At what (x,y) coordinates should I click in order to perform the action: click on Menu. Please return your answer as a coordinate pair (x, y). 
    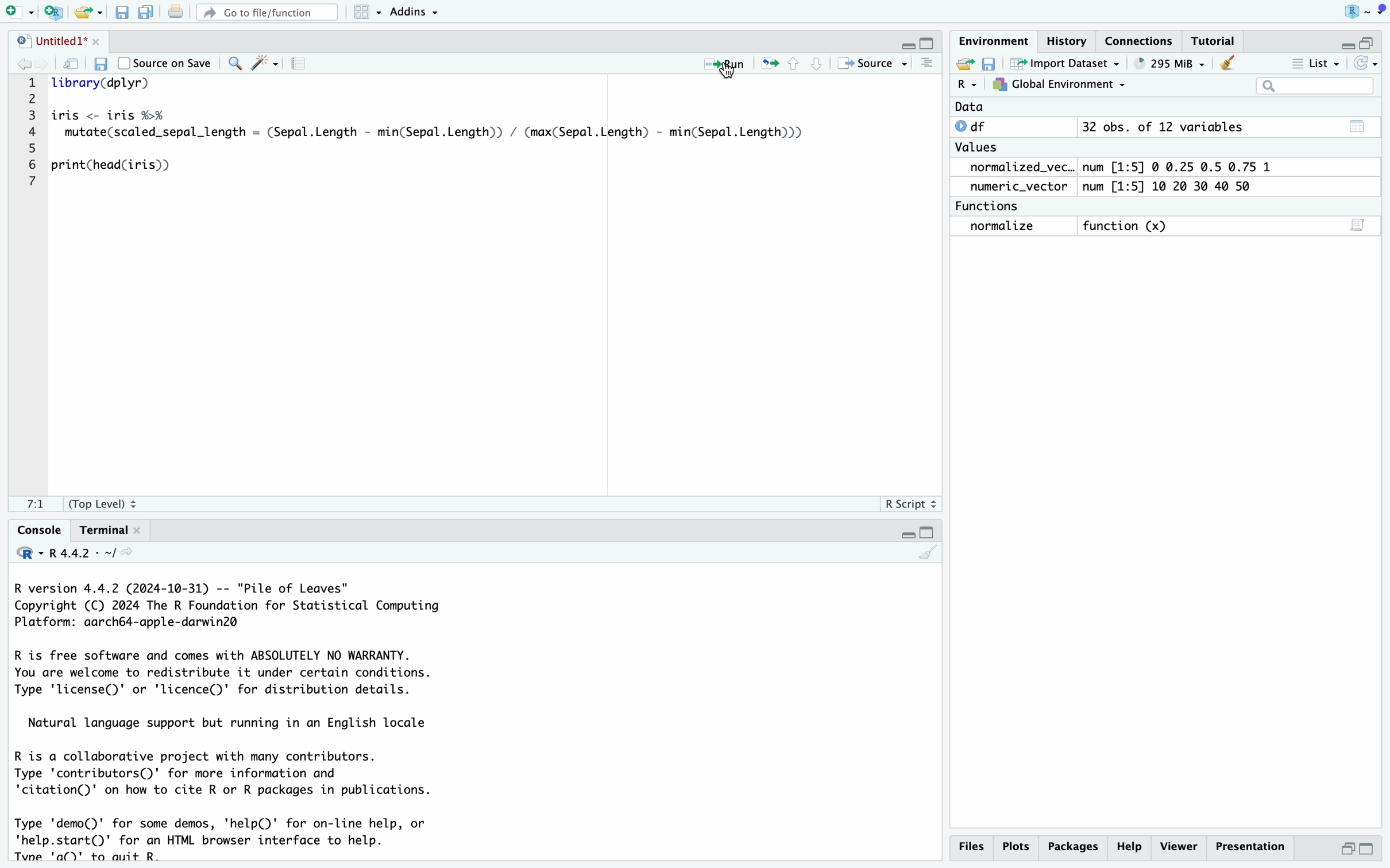
    Looking at the image, I should click on (368, 12).